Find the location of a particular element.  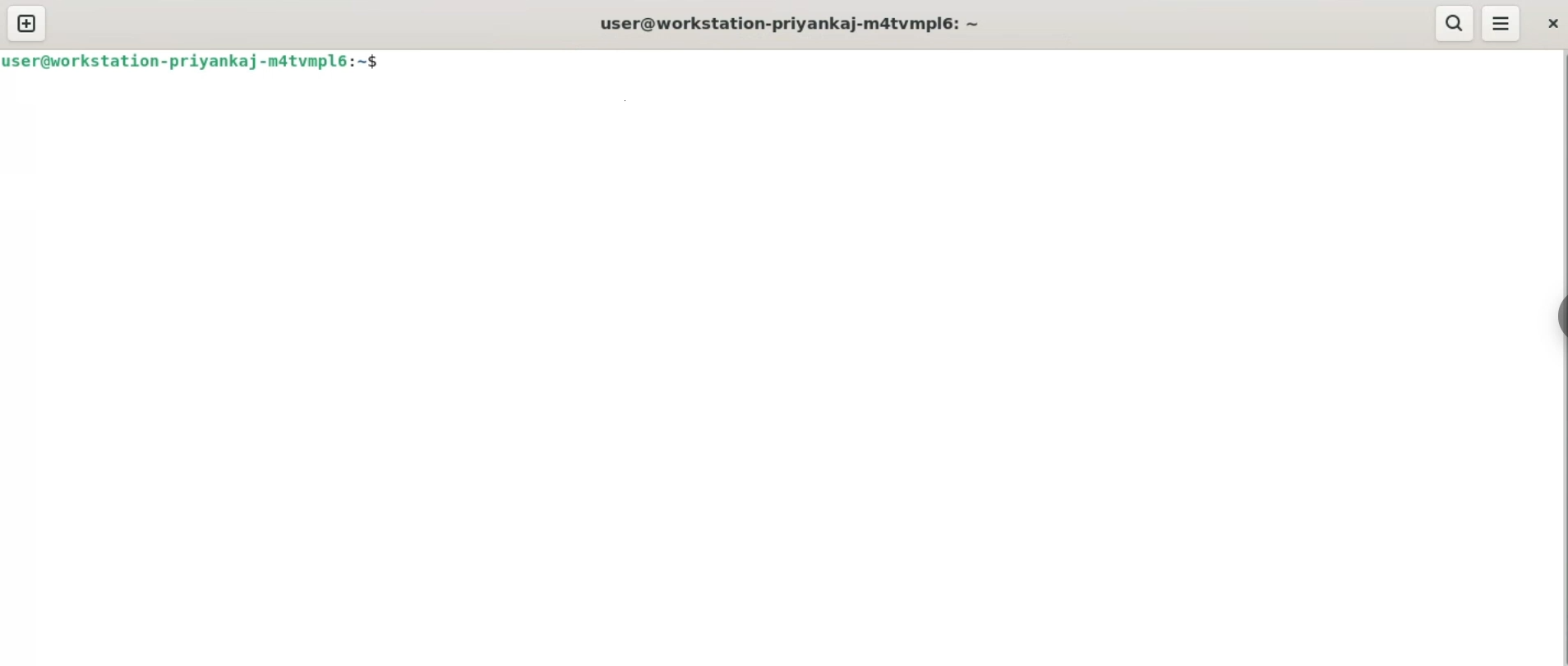

sidebar is located at coordinates (1560, 317).